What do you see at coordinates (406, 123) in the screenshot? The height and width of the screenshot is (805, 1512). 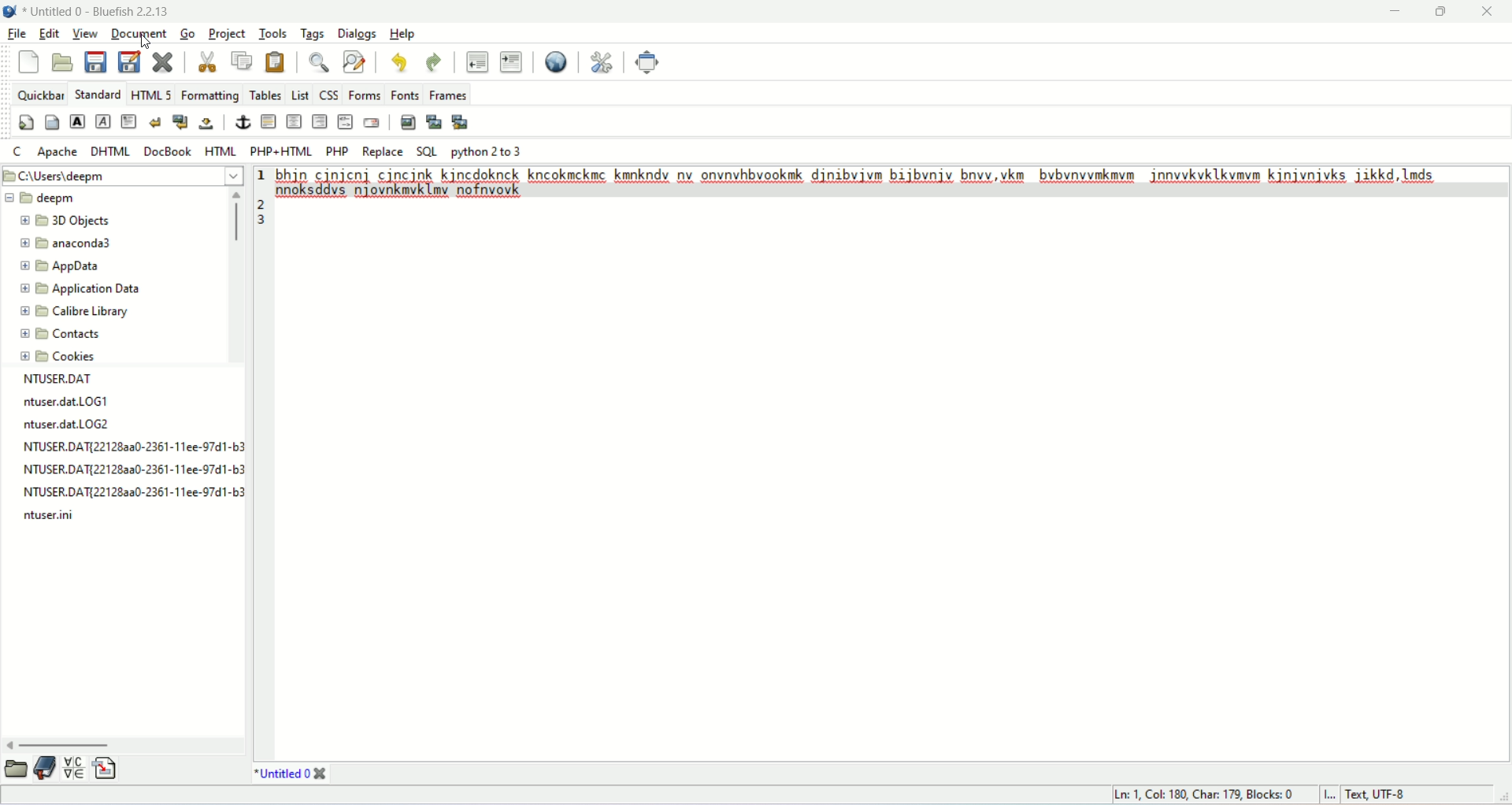 I see `insert images` at bounding box center [406, 123].